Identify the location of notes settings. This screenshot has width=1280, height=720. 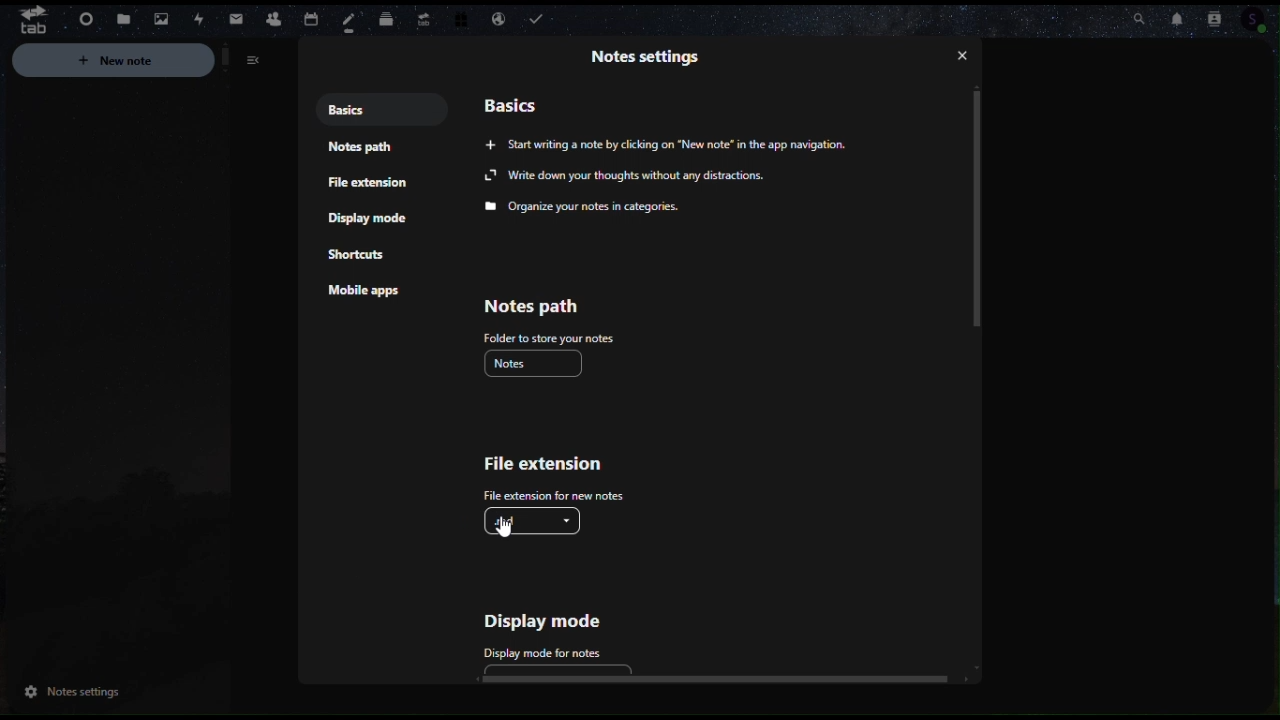
(69, 694).